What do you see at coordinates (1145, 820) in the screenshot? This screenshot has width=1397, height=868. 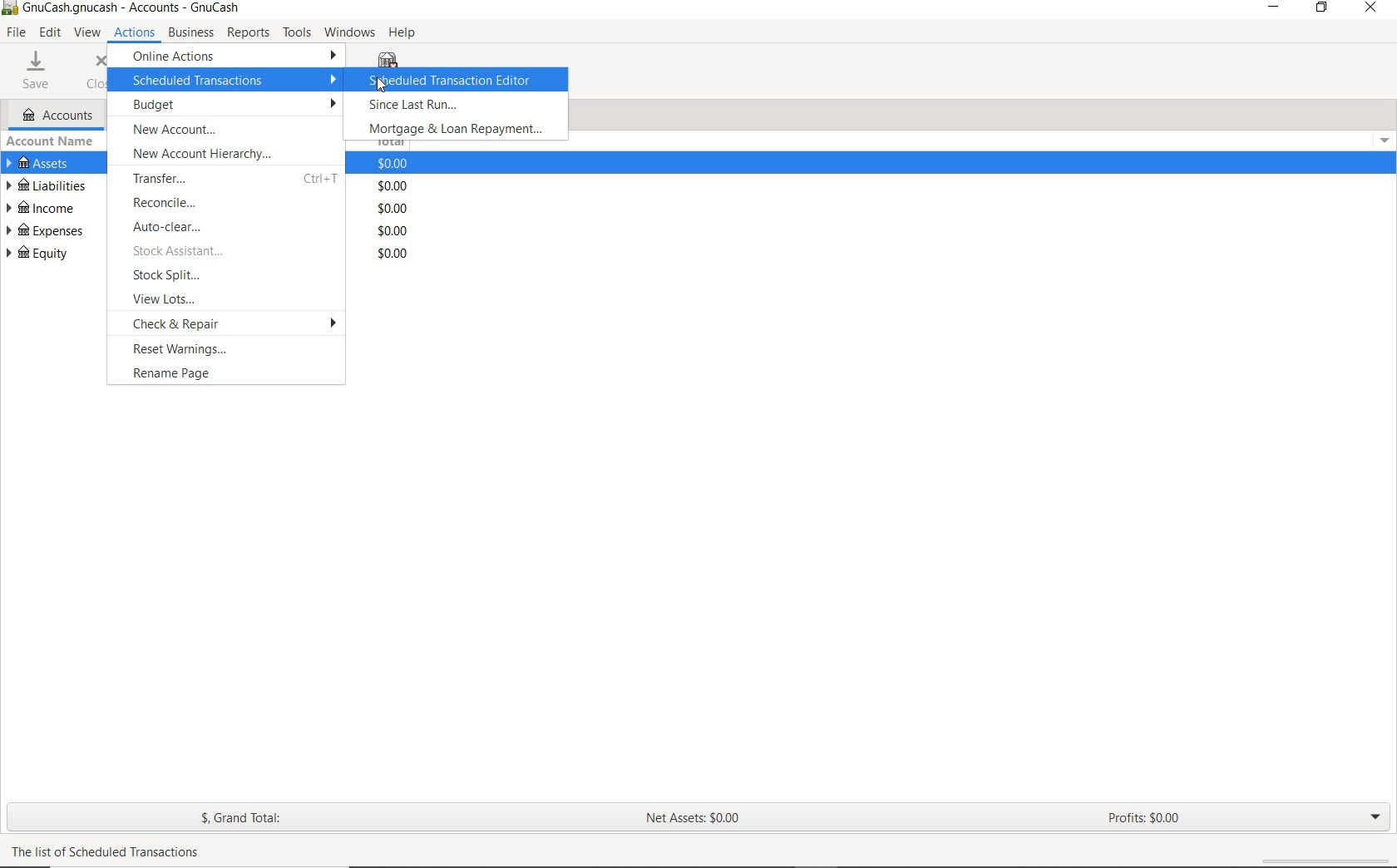 I see `PROFITS` at bounding box center [1145, 820].